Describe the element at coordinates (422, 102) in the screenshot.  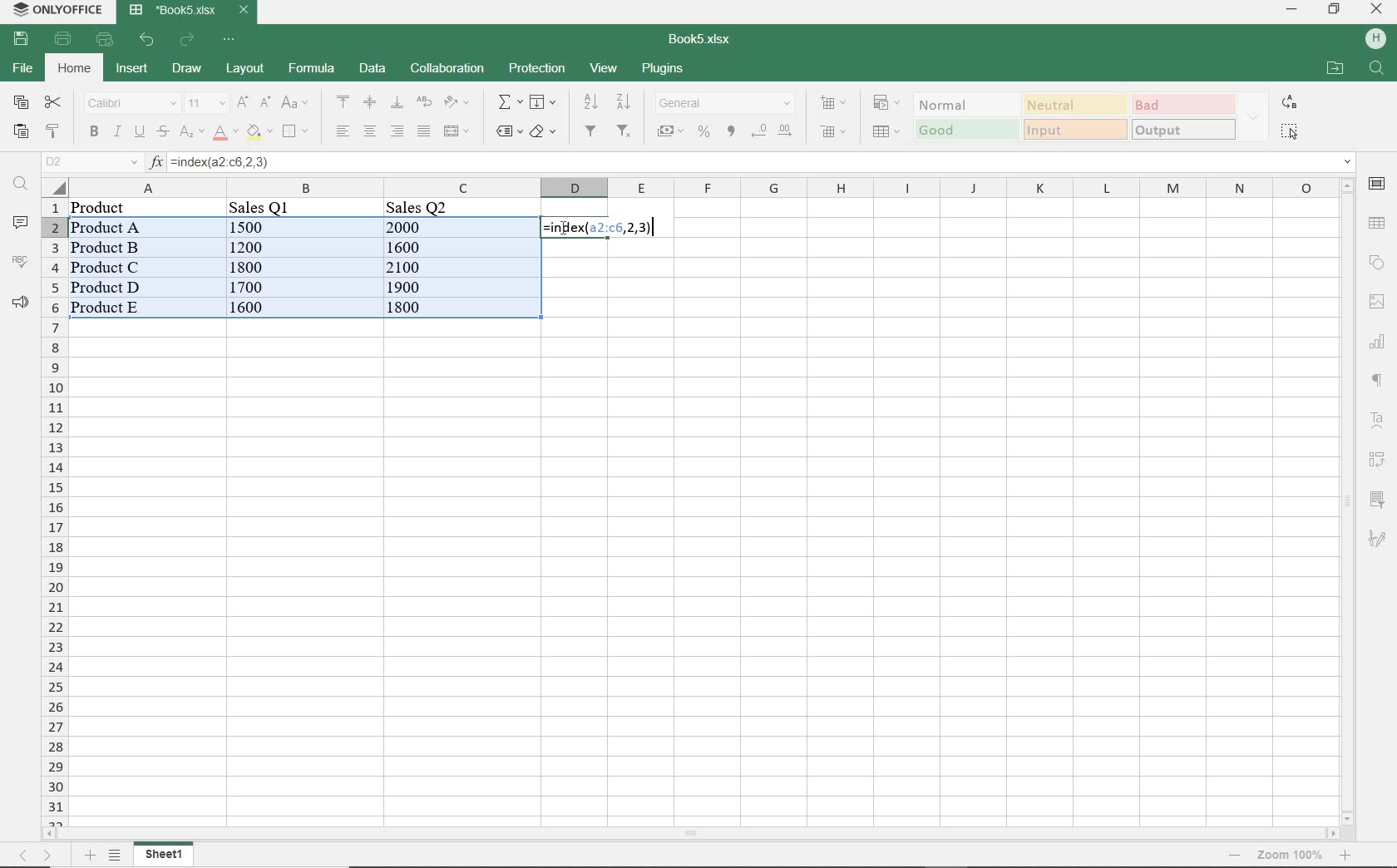
I see `wrap text` at that location.